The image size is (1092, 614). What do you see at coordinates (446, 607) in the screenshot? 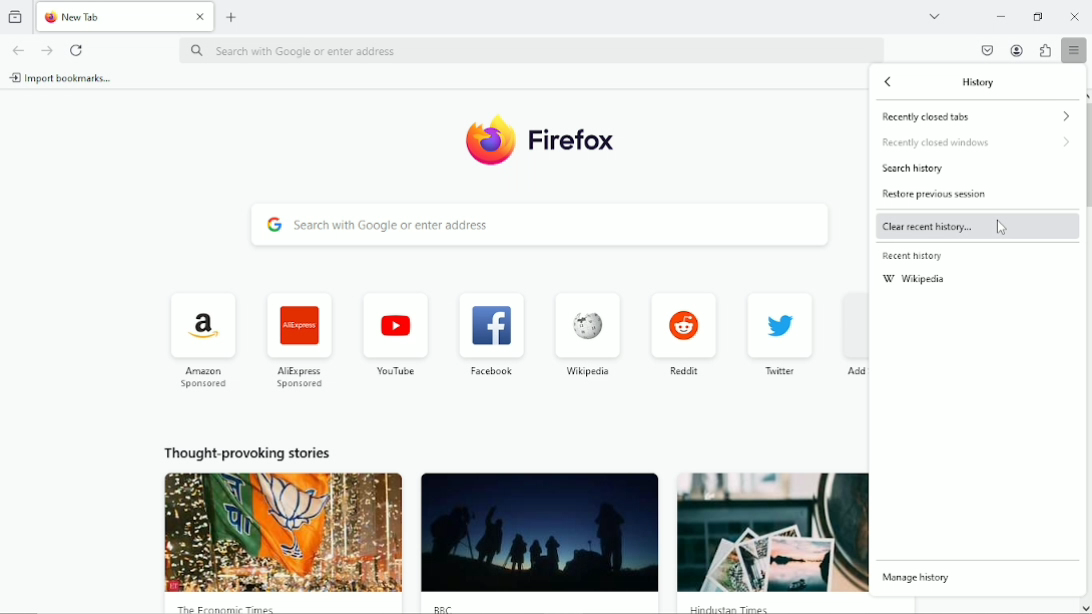
I see `BBC` at bounding box center [446, 607].